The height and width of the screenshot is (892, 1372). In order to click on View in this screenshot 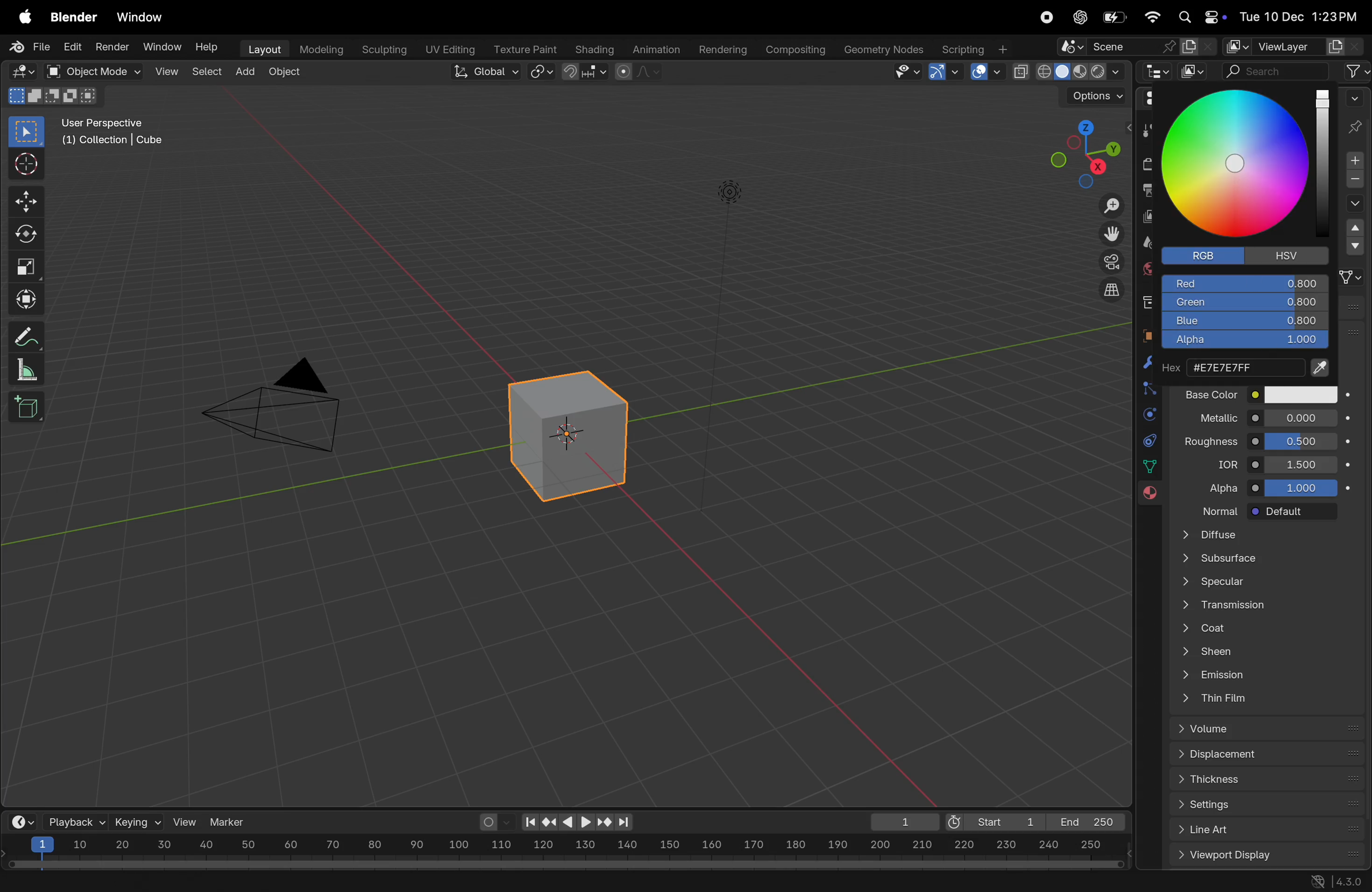, I will do `click(165, 71)`.